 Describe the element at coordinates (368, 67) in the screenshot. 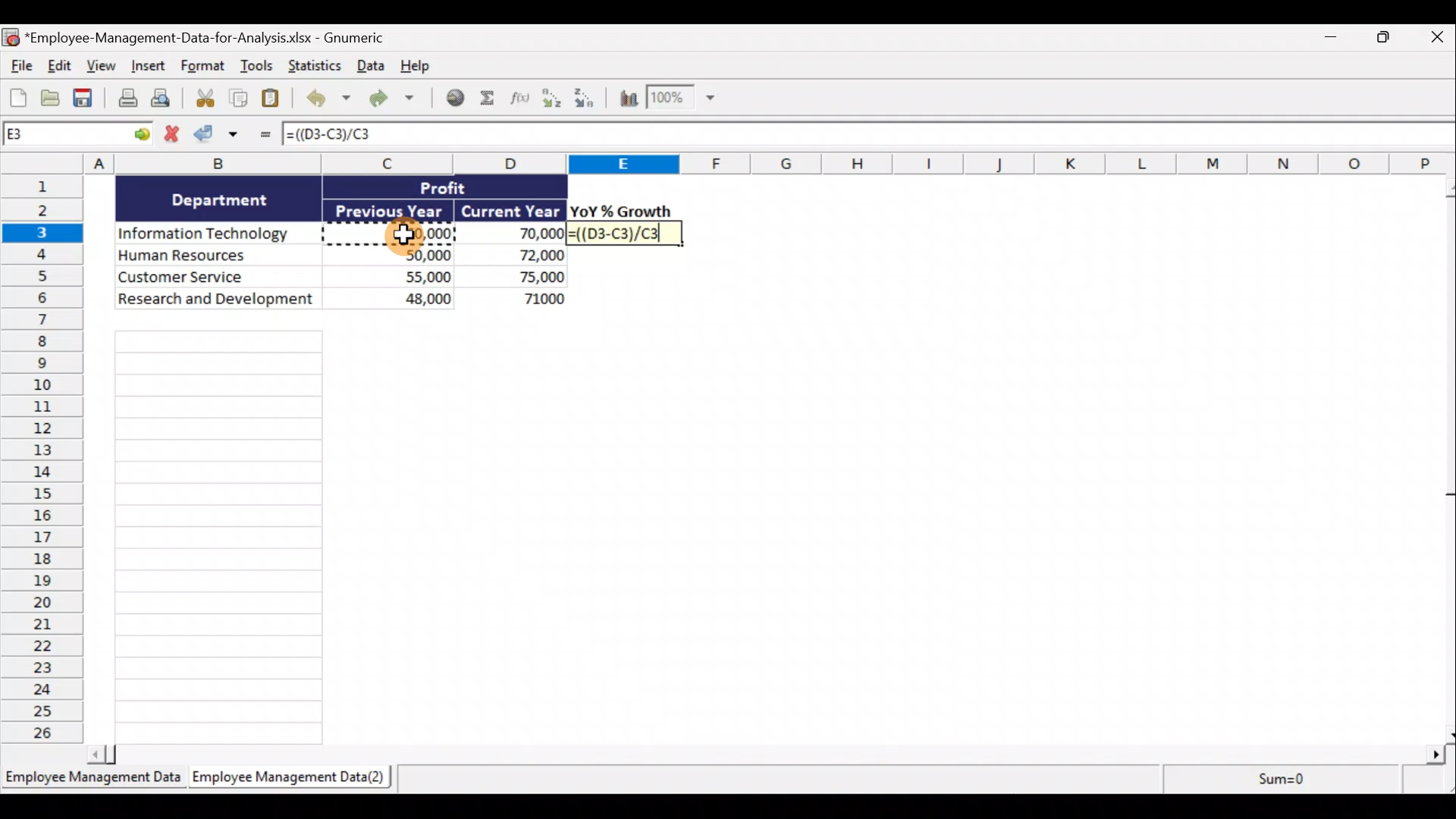

I see `Data` at that location.